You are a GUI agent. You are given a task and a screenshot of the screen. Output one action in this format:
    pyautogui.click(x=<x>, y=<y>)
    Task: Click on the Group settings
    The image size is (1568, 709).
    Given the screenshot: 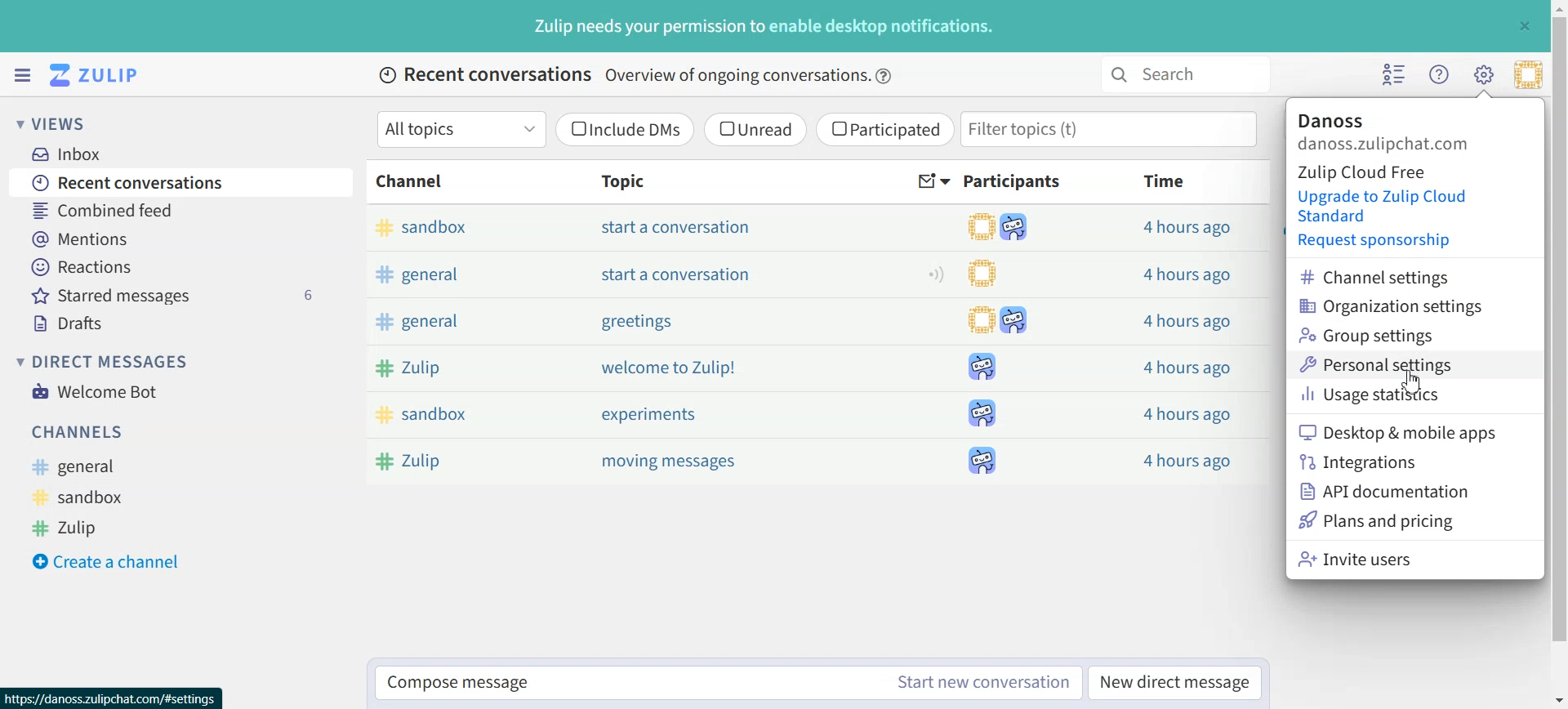 What is the action you would take?
    pyautogui.click(x=1393, y=336)
    